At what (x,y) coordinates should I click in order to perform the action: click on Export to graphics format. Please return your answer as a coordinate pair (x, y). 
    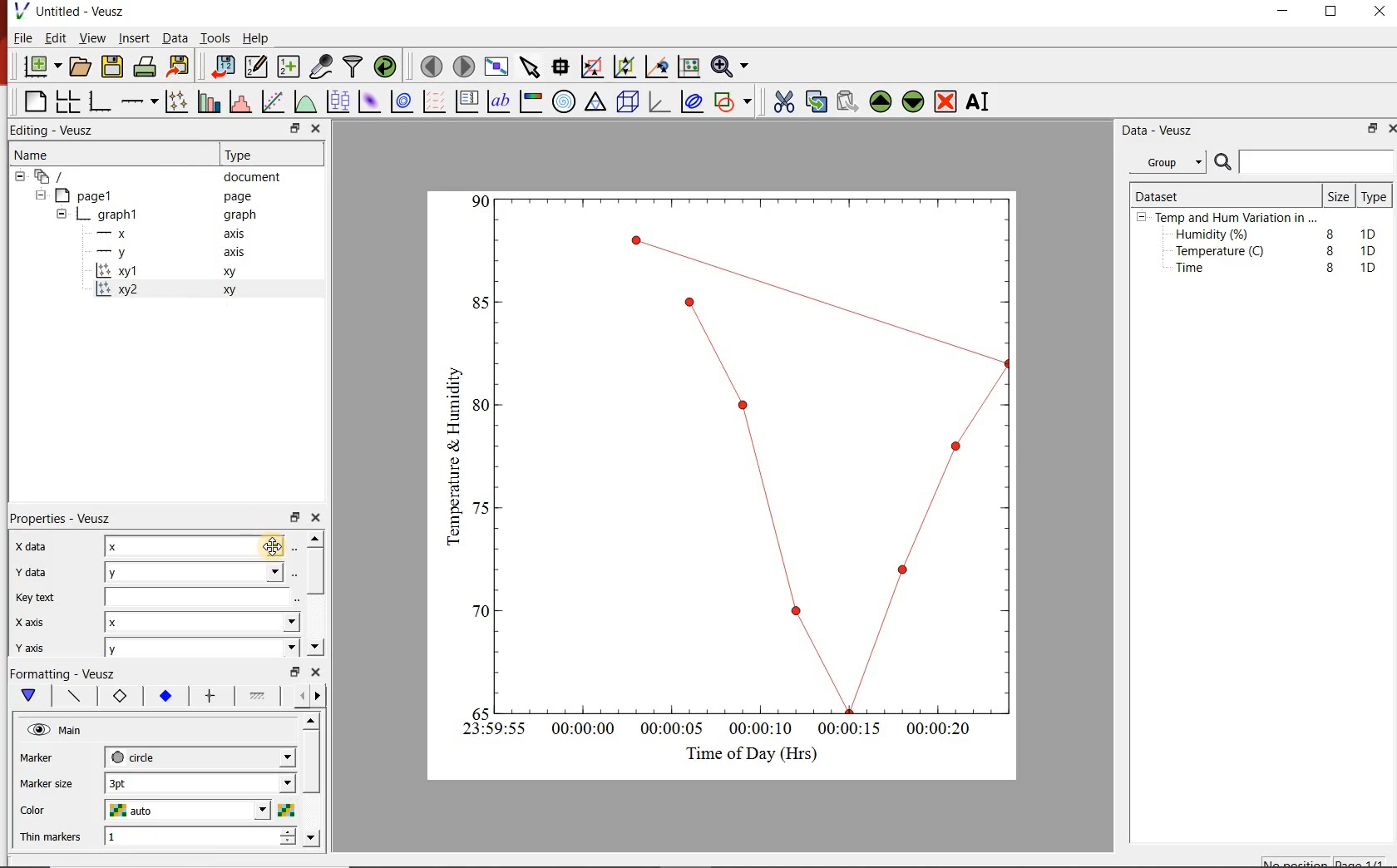
    Looking at the image, I should click on (180, 66).